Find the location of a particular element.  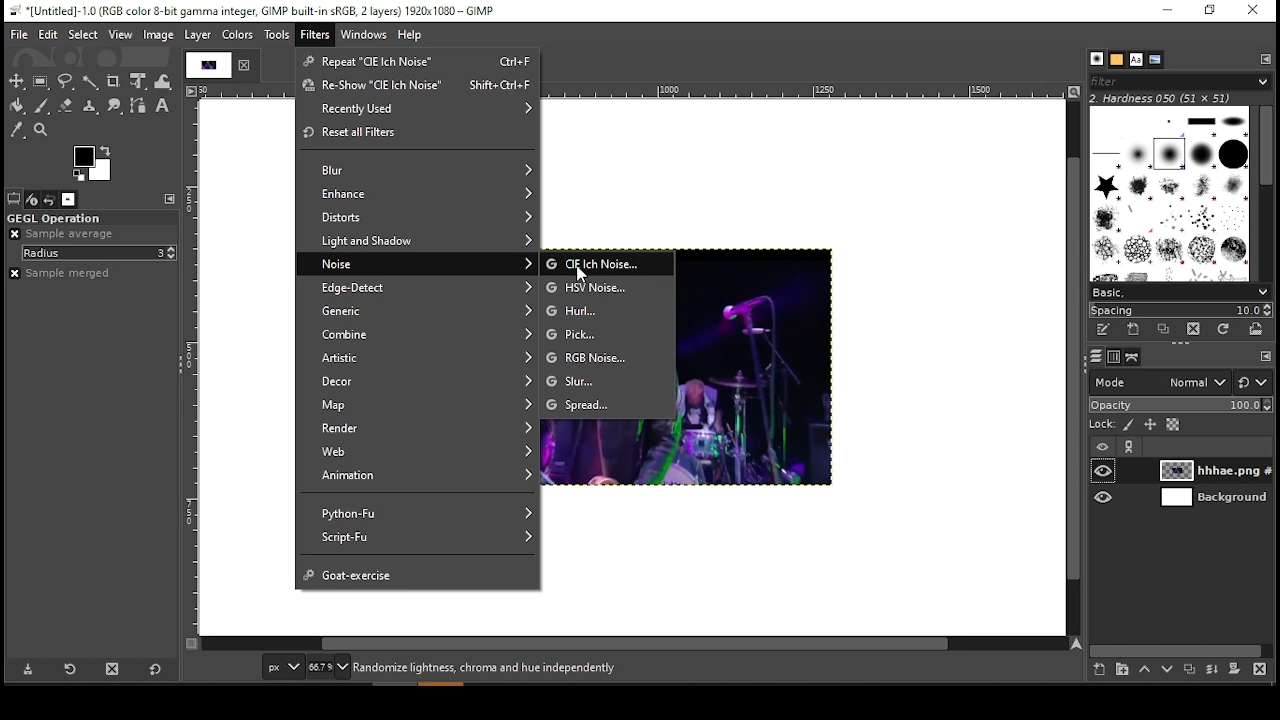

lock size and positioning is located at coordinates (1151, 425).